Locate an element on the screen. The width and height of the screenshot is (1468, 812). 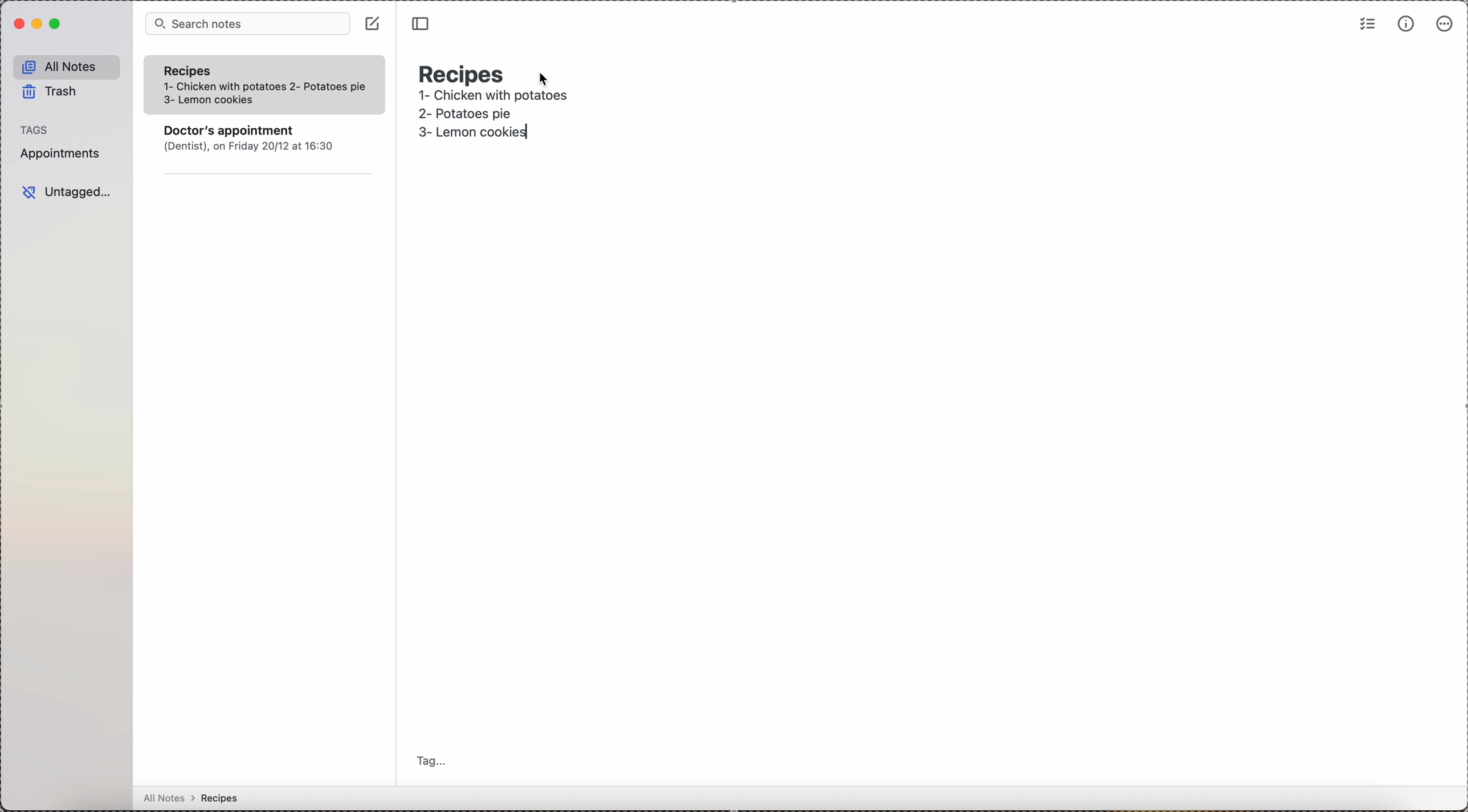
minimize is located at coordinates (38, 25).